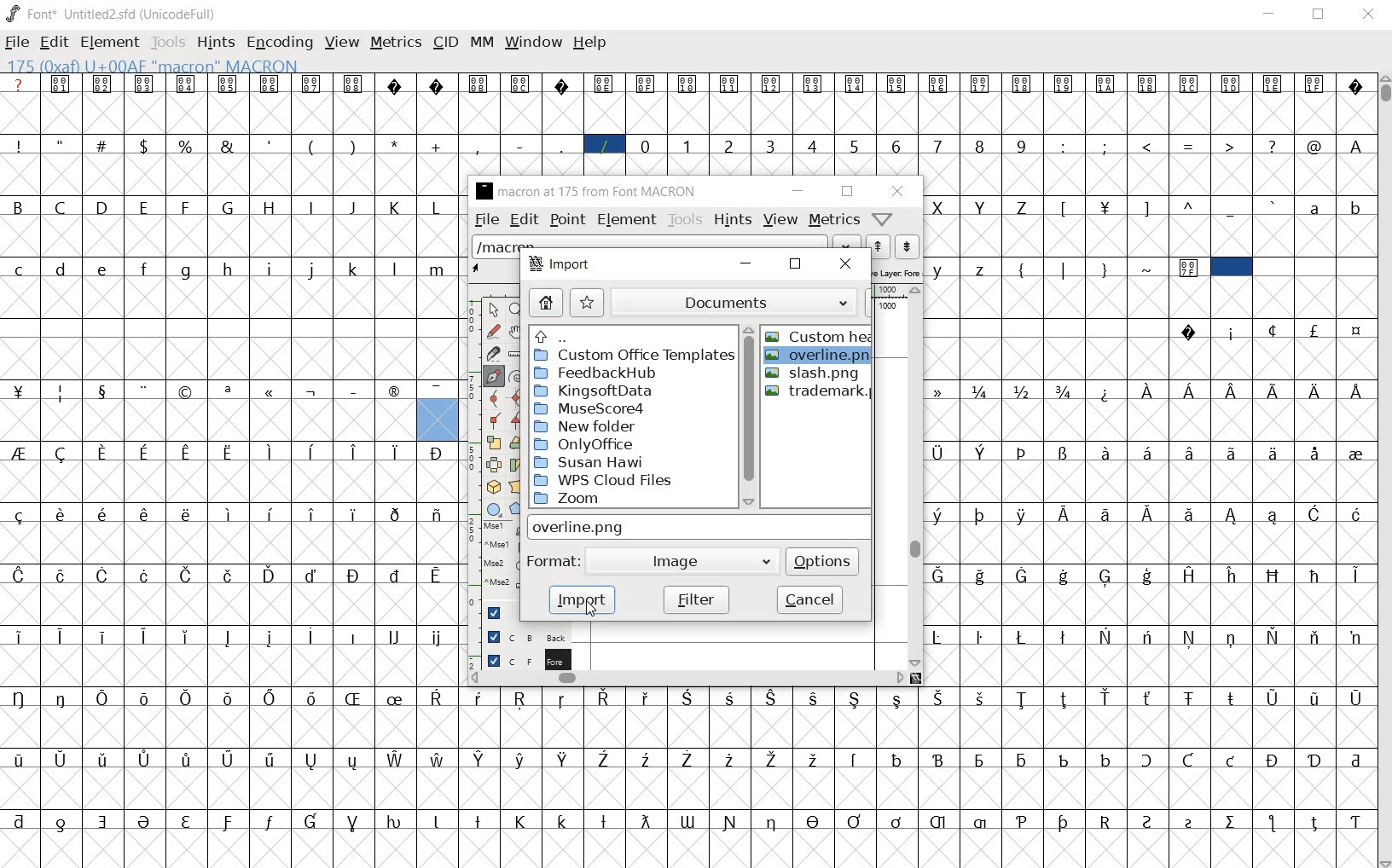 Image resolution: width=1392 pixels, height=868 pixels. What do you see at coordinates (1105, 636) in the screenshot?
I see `Symbol` at bounding box center [1105, 636].